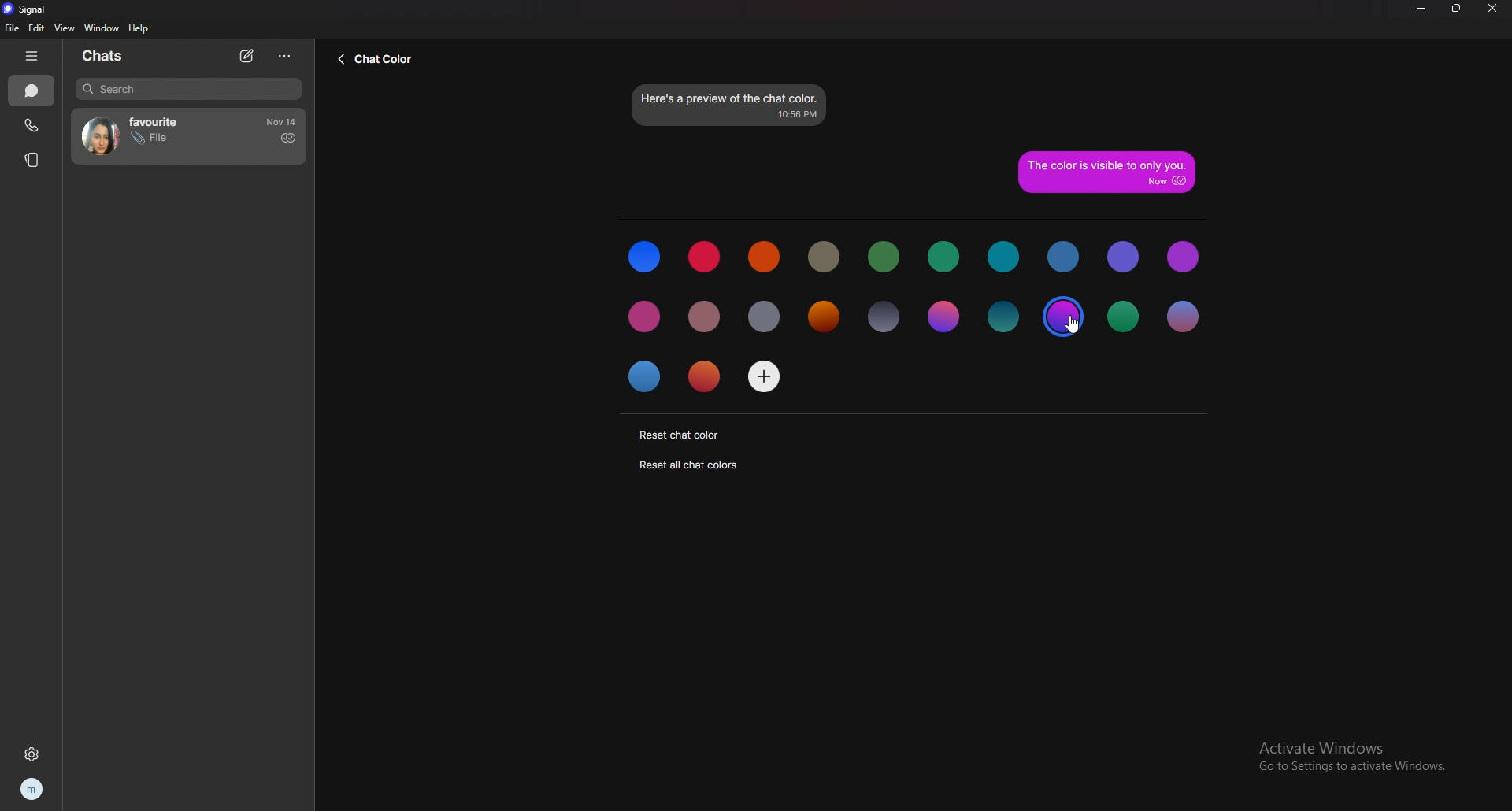 Image resolution: width=1512 pixels, height=811 pixels. What do you see at coordinates (1492, 9) in the screenshot?
I see `close` at bounding box center [1492, 9].